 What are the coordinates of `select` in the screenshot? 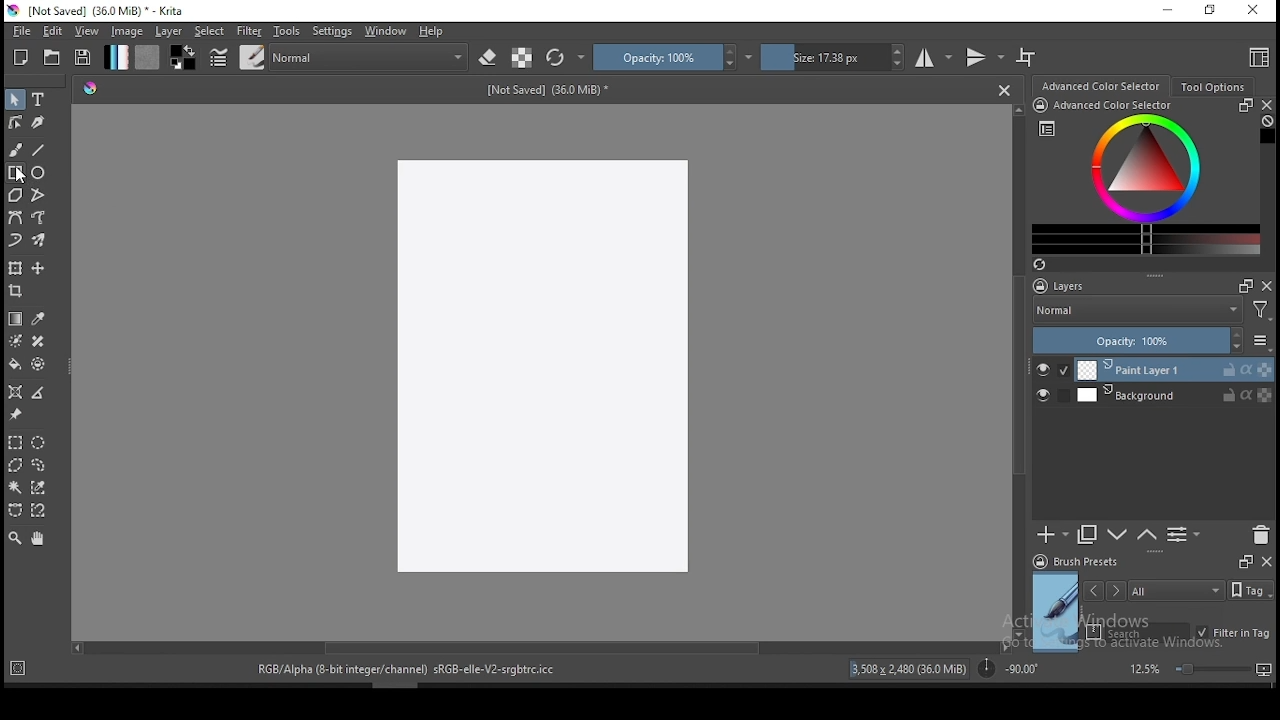 It's located at (210, 31).